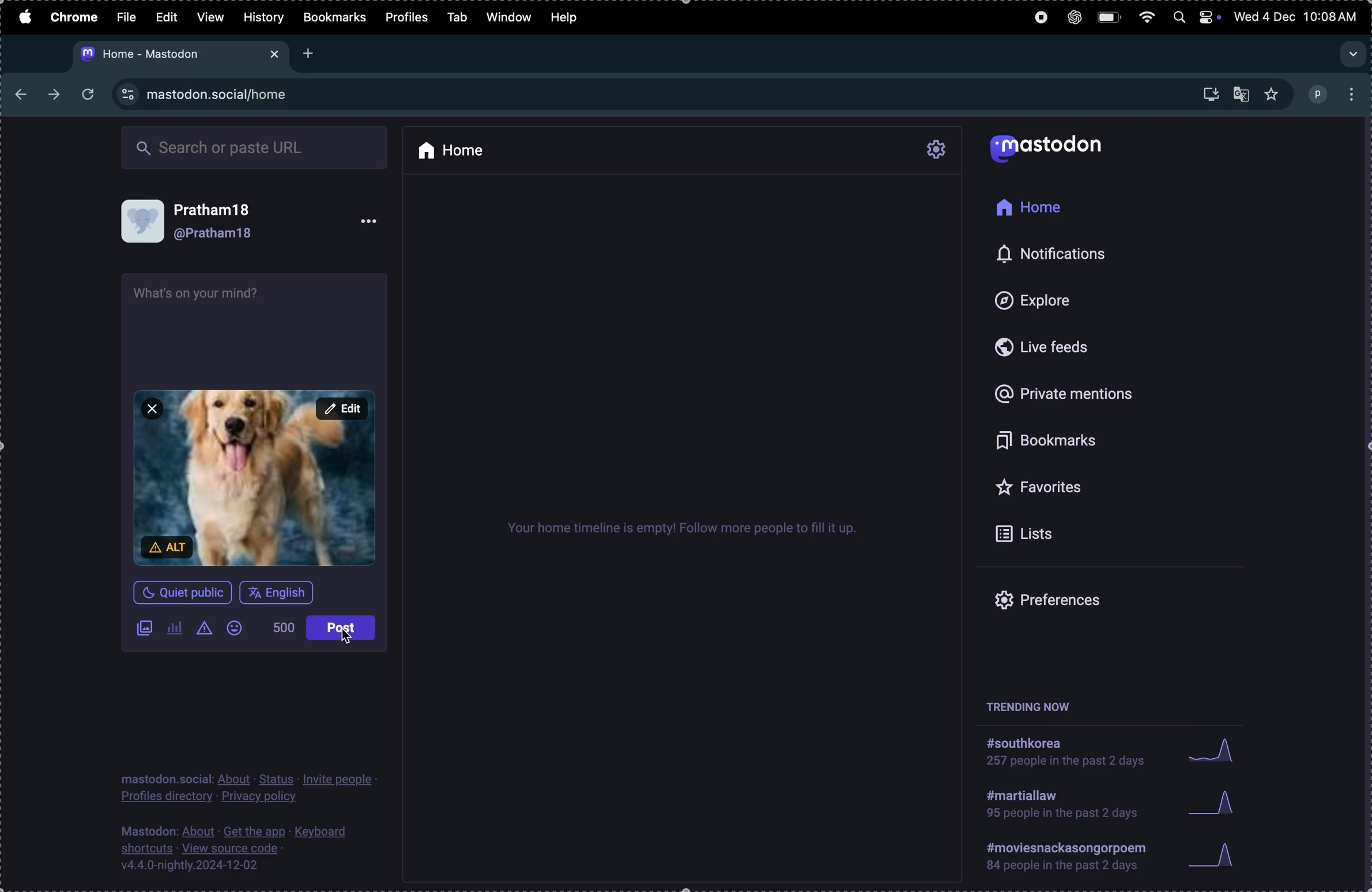 Image resolution: width=1372 pixels, height=892 pixels. What do you see at coordinates (263, 17) in the screenshot?
I see `History` at bounding box center [263, 17].